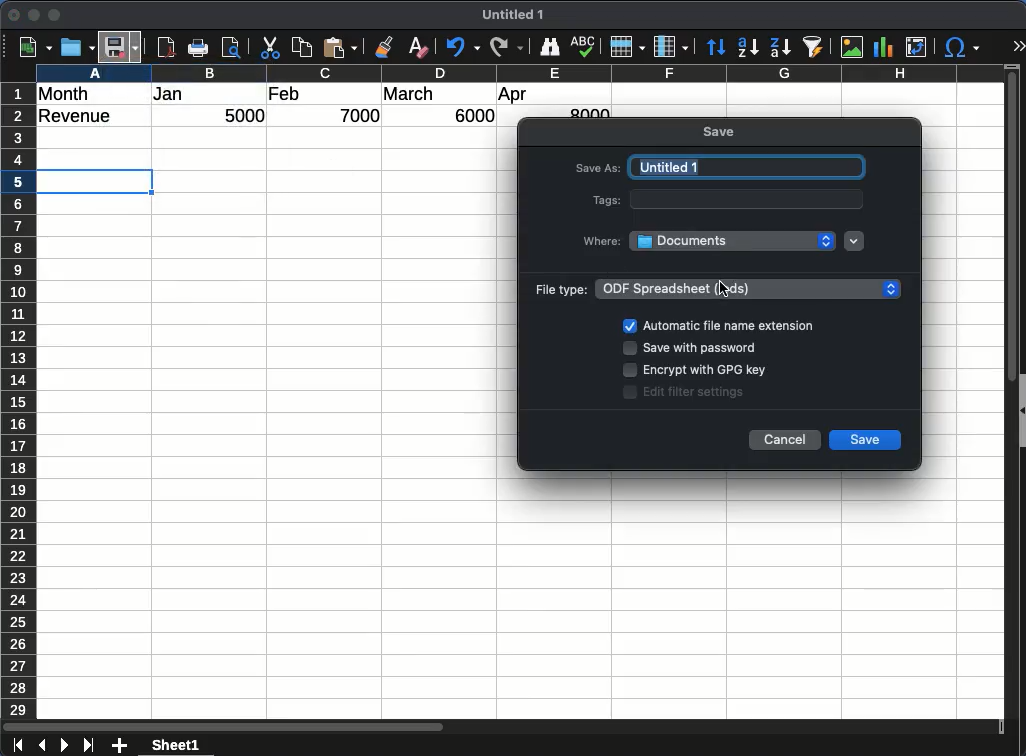 This screenshot has height=756, width=1026. I want to click on selection, so click(98, 181).